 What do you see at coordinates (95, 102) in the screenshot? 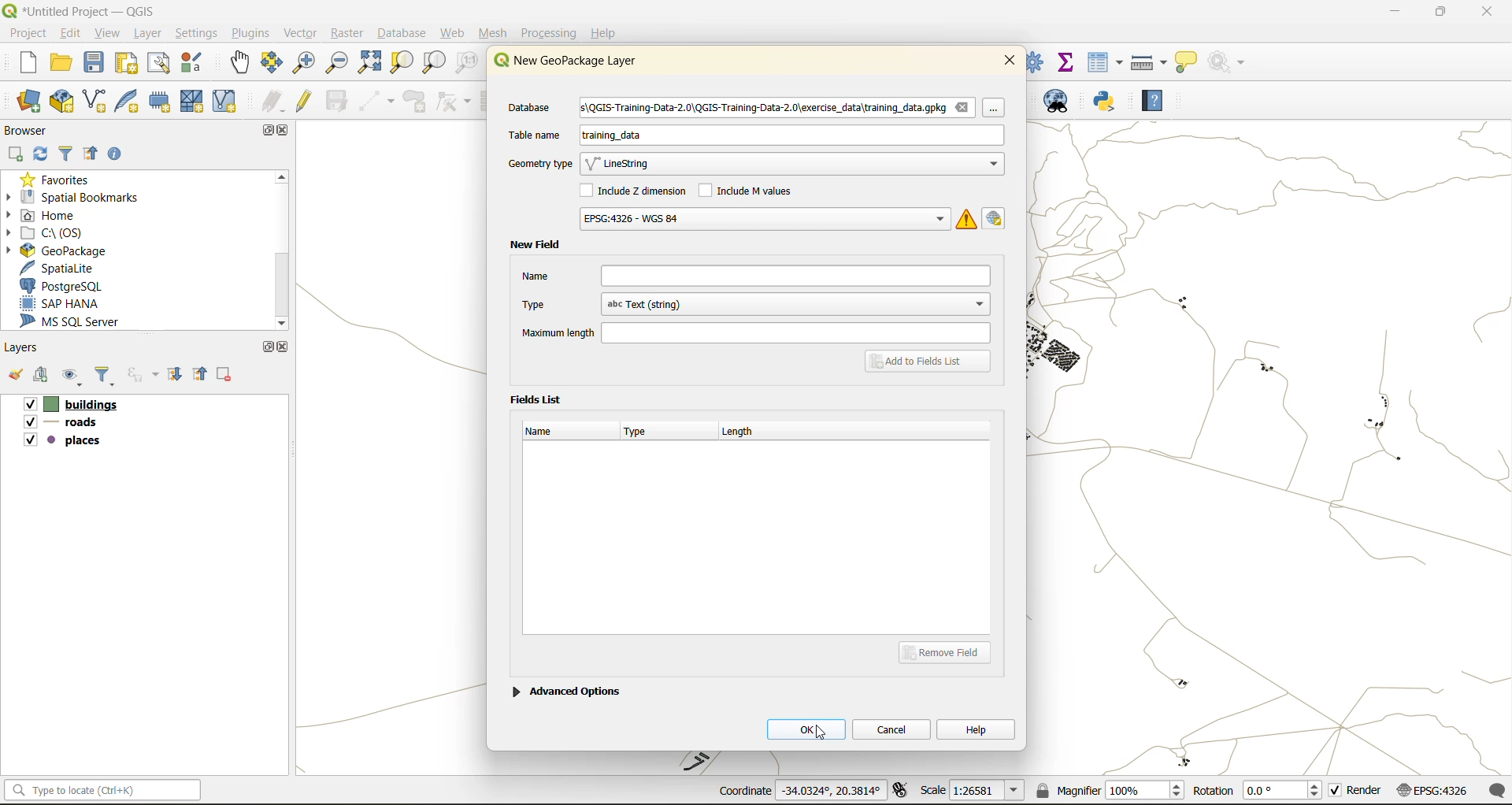
I see `new shapefile layer` at bounding box center [95, 102].